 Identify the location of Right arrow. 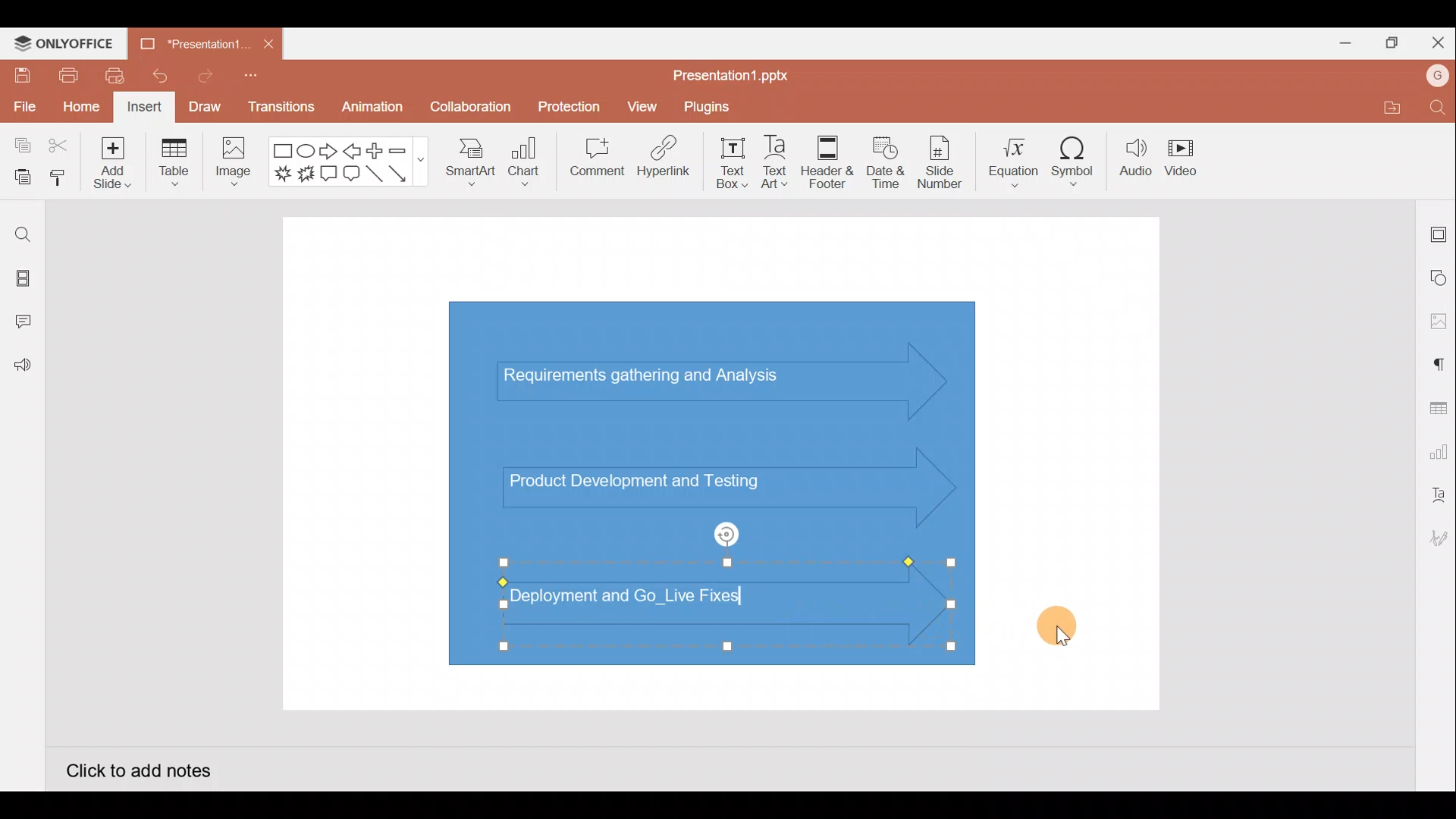
(328, 152).